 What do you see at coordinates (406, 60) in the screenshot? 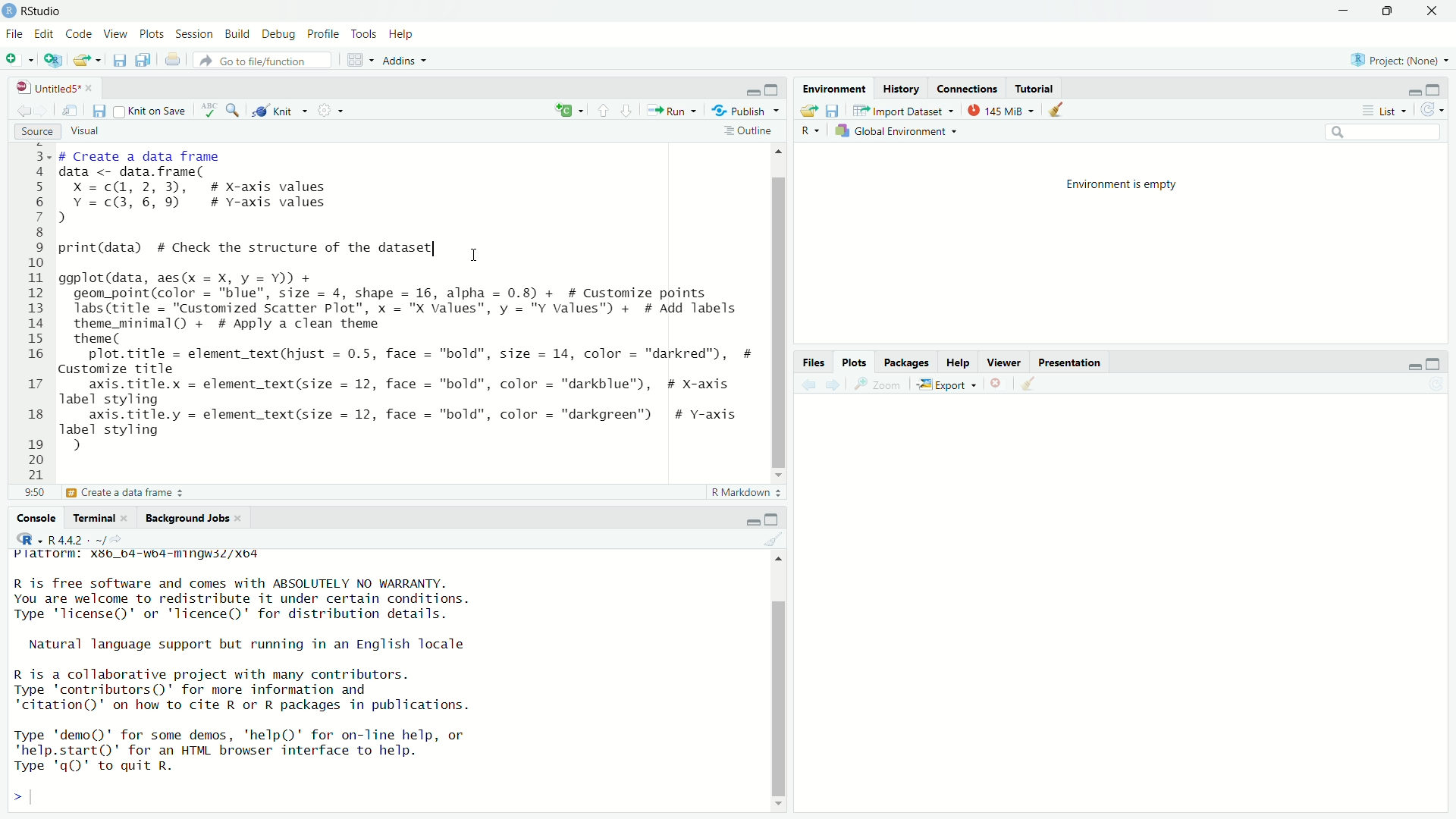
I see `Addins` at bounding box center [406, 60].